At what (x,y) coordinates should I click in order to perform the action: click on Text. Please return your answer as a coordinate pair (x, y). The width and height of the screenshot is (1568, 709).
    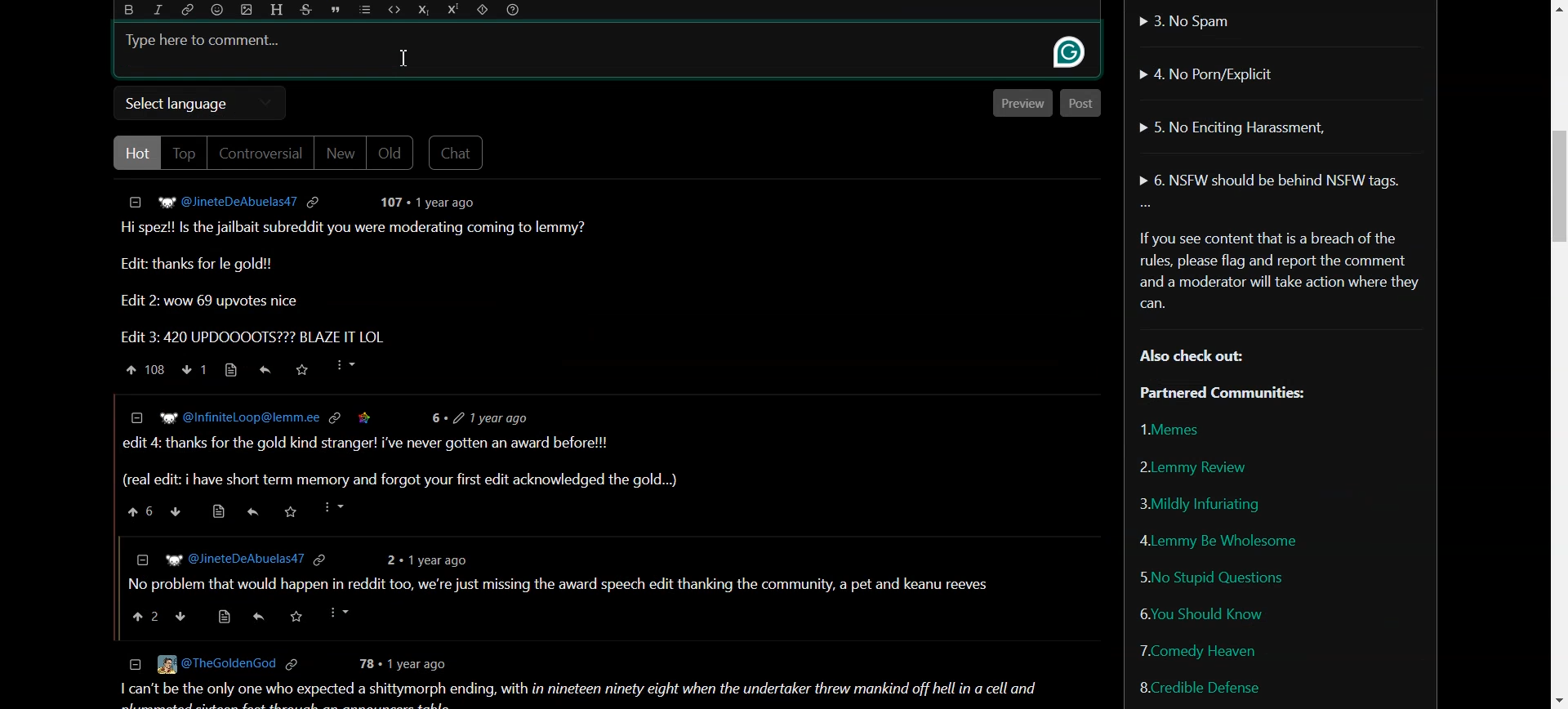
    Looking at the image, I should click on (1279, 311).